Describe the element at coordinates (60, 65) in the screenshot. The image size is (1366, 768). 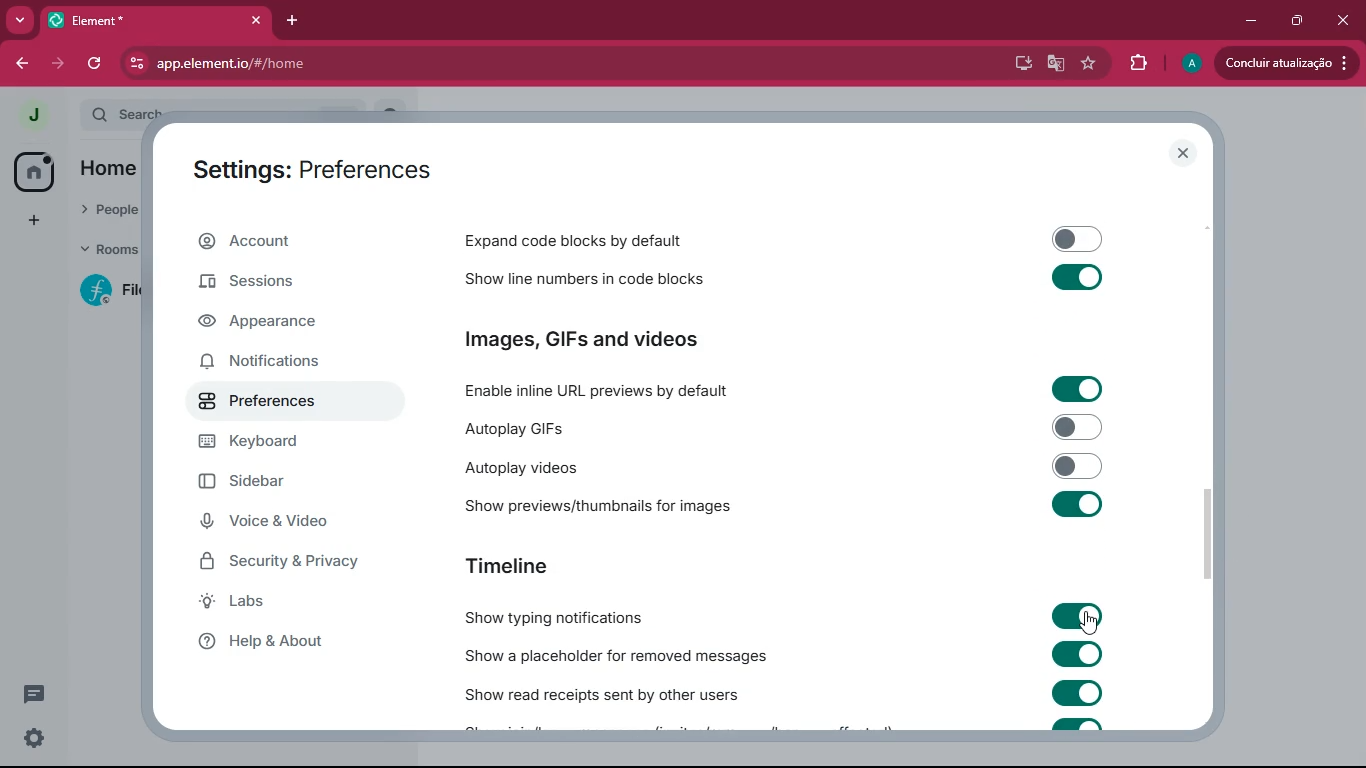
I see `forward` at that location.